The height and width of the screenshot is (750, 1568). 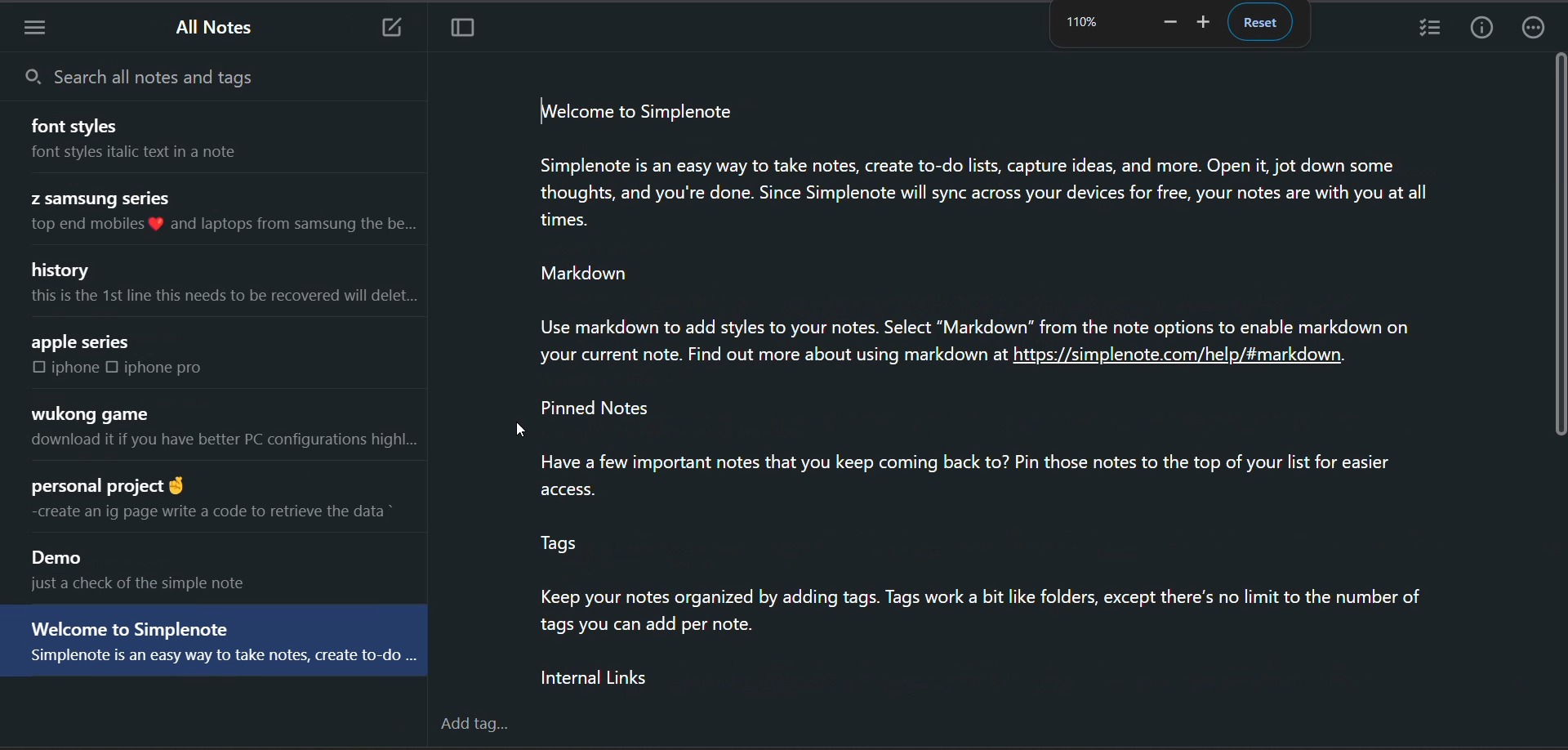 I want to click on add new note, so click(x=396, y=26).